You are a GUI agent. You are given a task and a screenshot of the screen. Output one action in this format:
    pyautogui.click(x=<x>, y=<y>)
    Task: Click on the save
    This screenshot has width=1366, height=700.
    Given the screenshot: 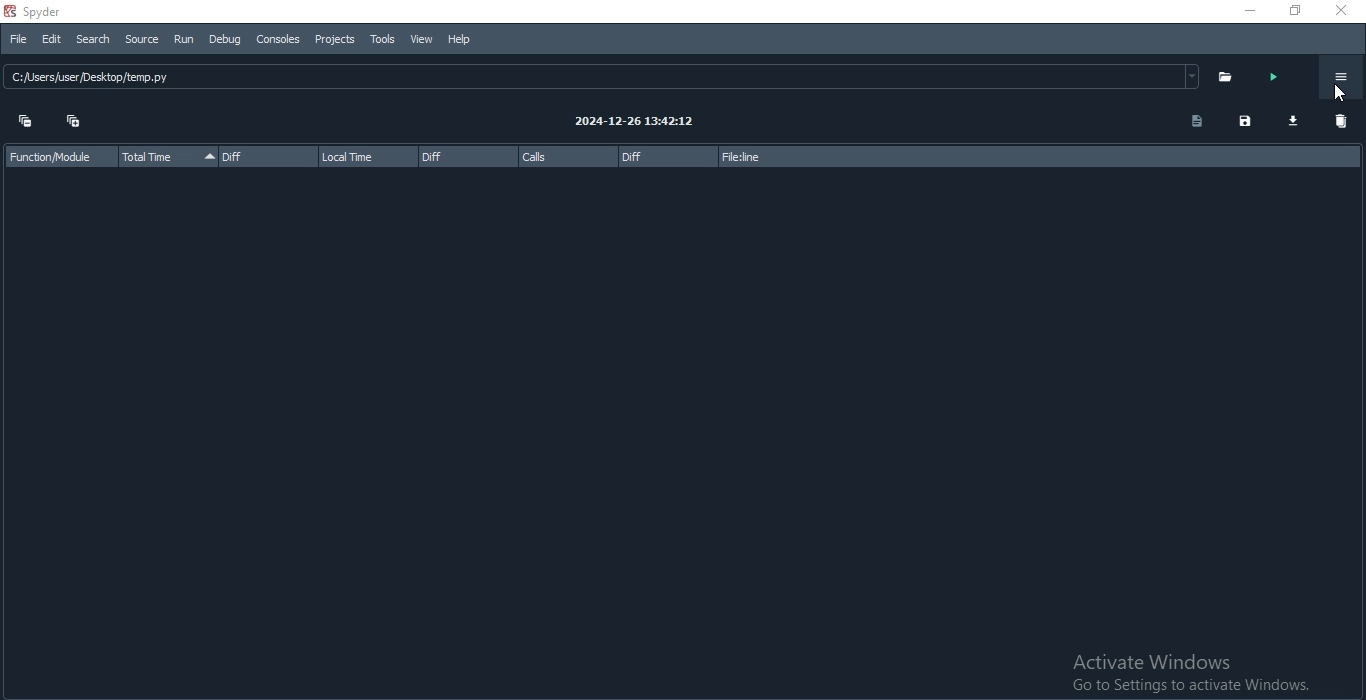 What is the action you would take?
    pyautogui.click(x=1246, y=122)
    